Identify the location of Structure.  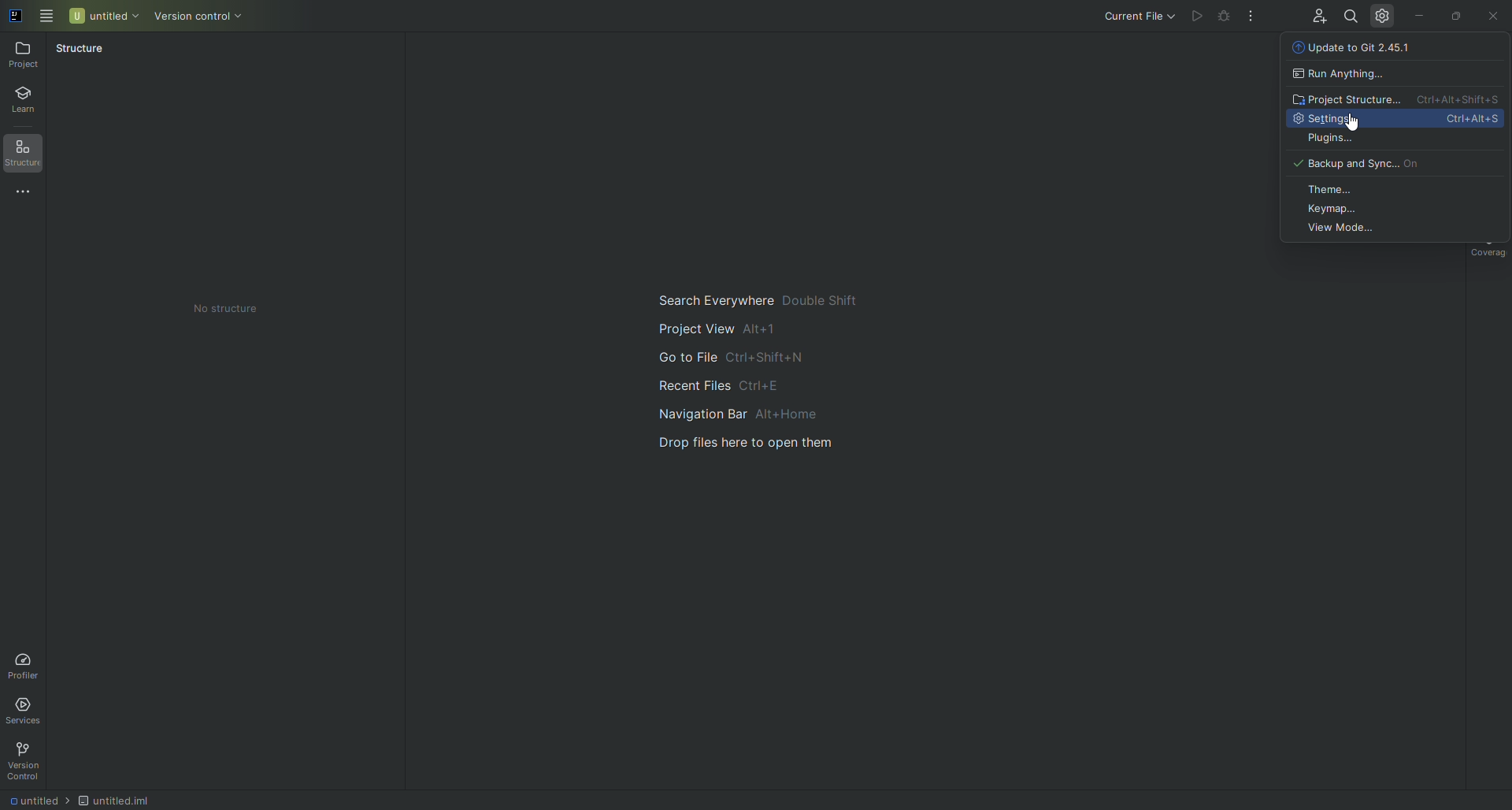
(26, 152).